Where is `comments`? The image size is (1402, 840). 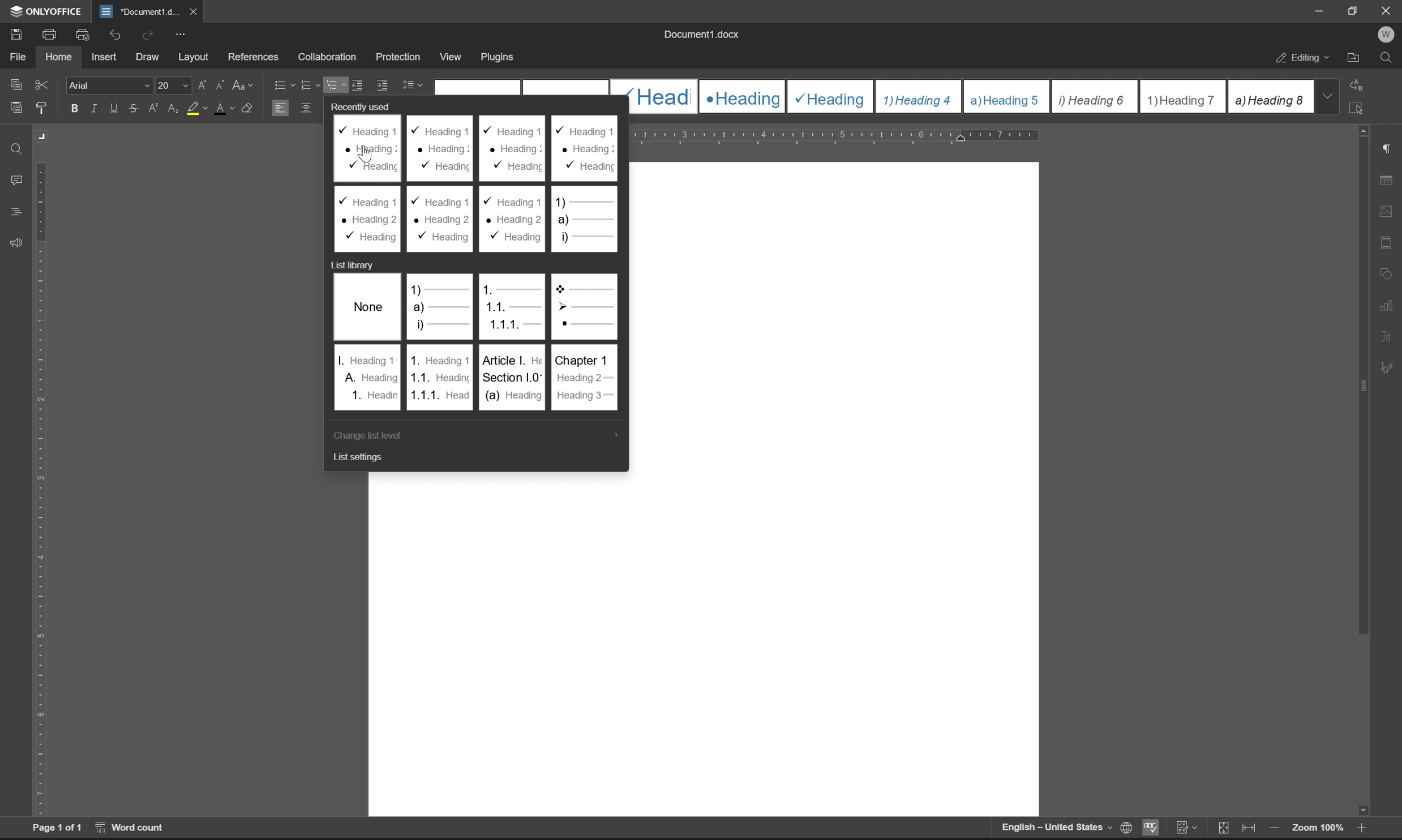 comments is located at coordinates (19, 181).